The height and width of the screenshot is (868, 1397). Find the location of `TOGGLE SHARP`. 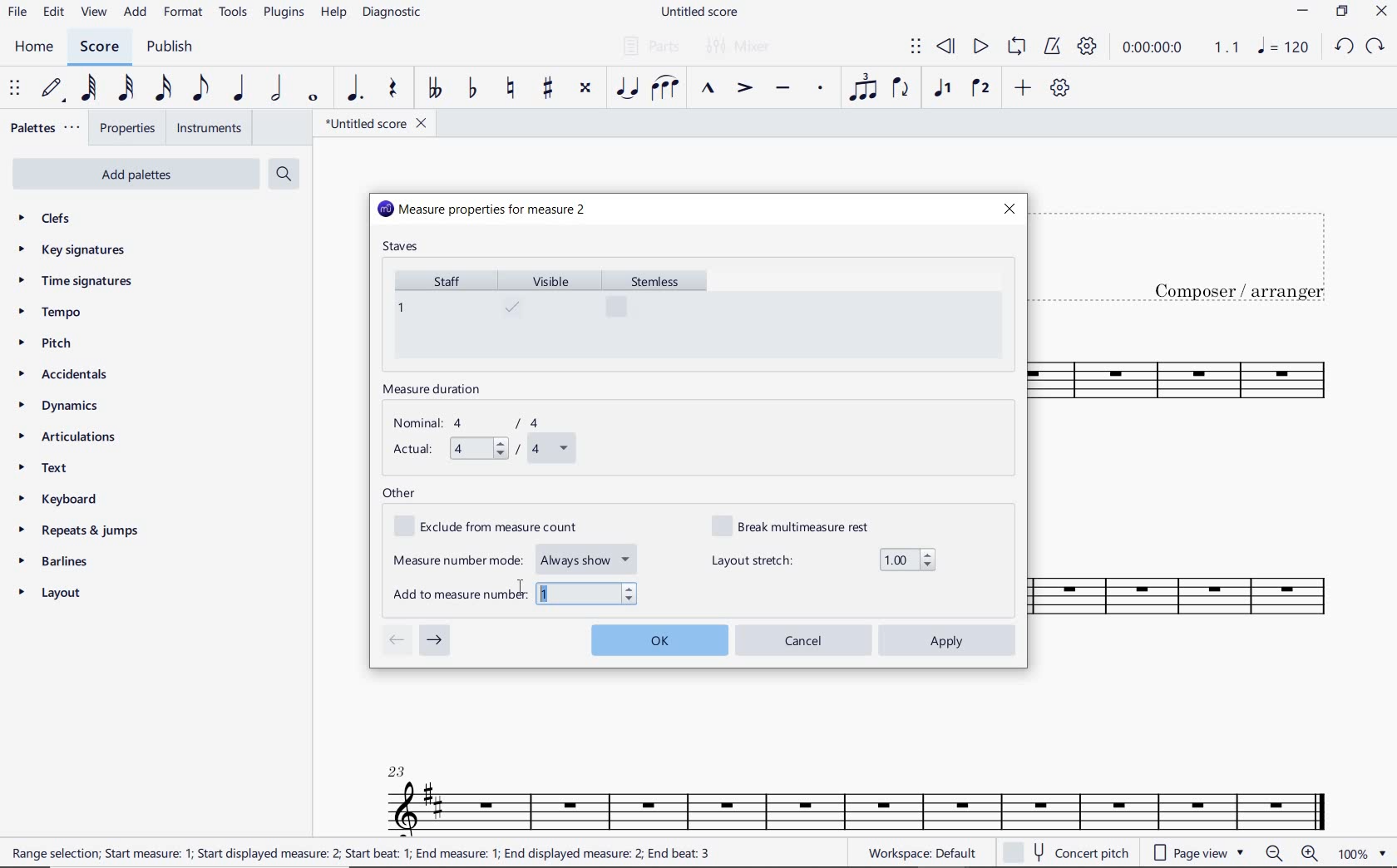

TOGGLE SHARP is located at coordinates (549, 88).